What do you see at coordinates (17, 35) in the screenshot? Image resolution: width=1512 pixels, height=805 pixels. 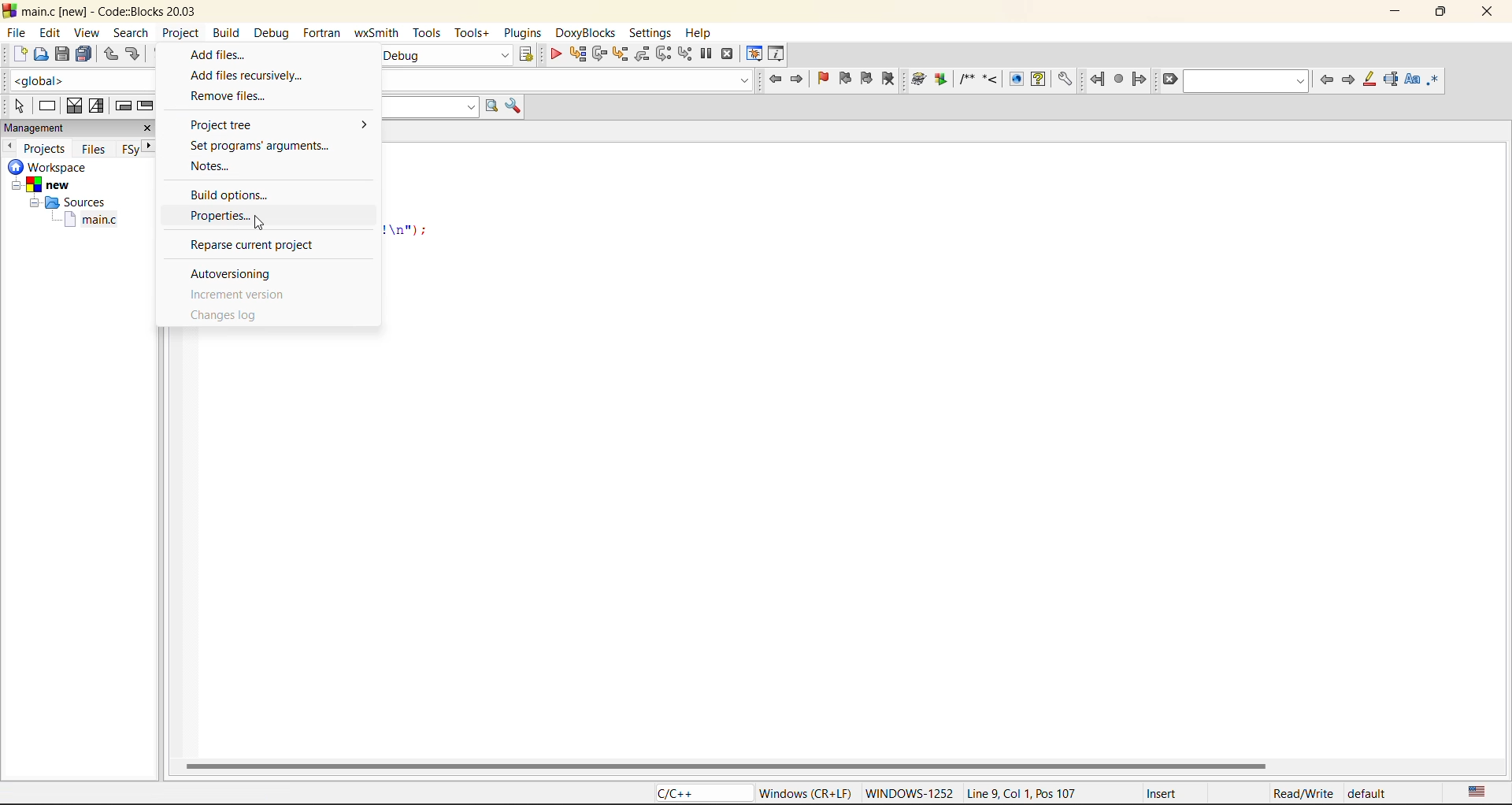 I see `file` at bounding box center [17, 35].